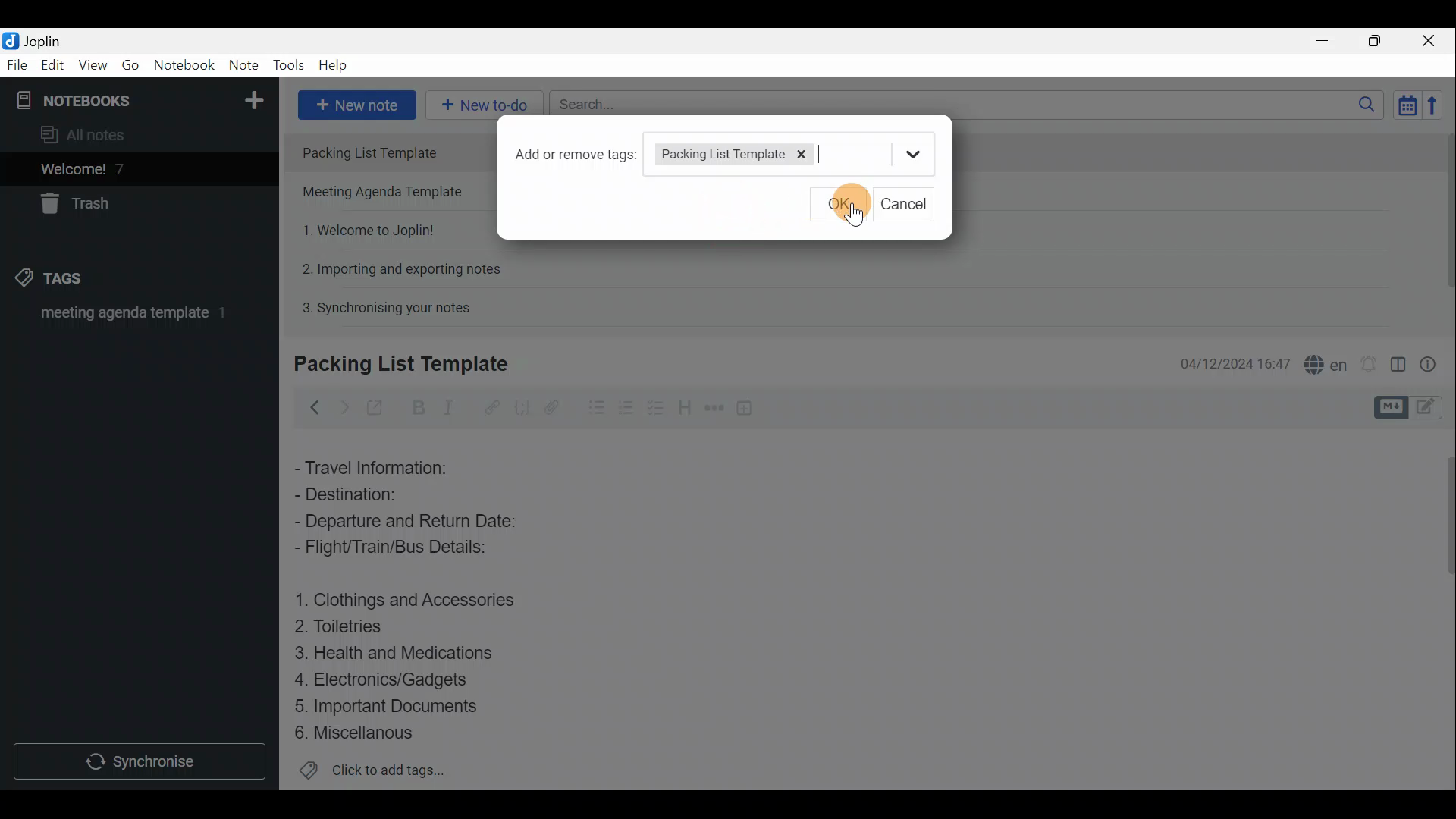  What do you see at coordinates (36, 40) in the screenshot?
I see `Joplin` at bounding box center [36, 40].